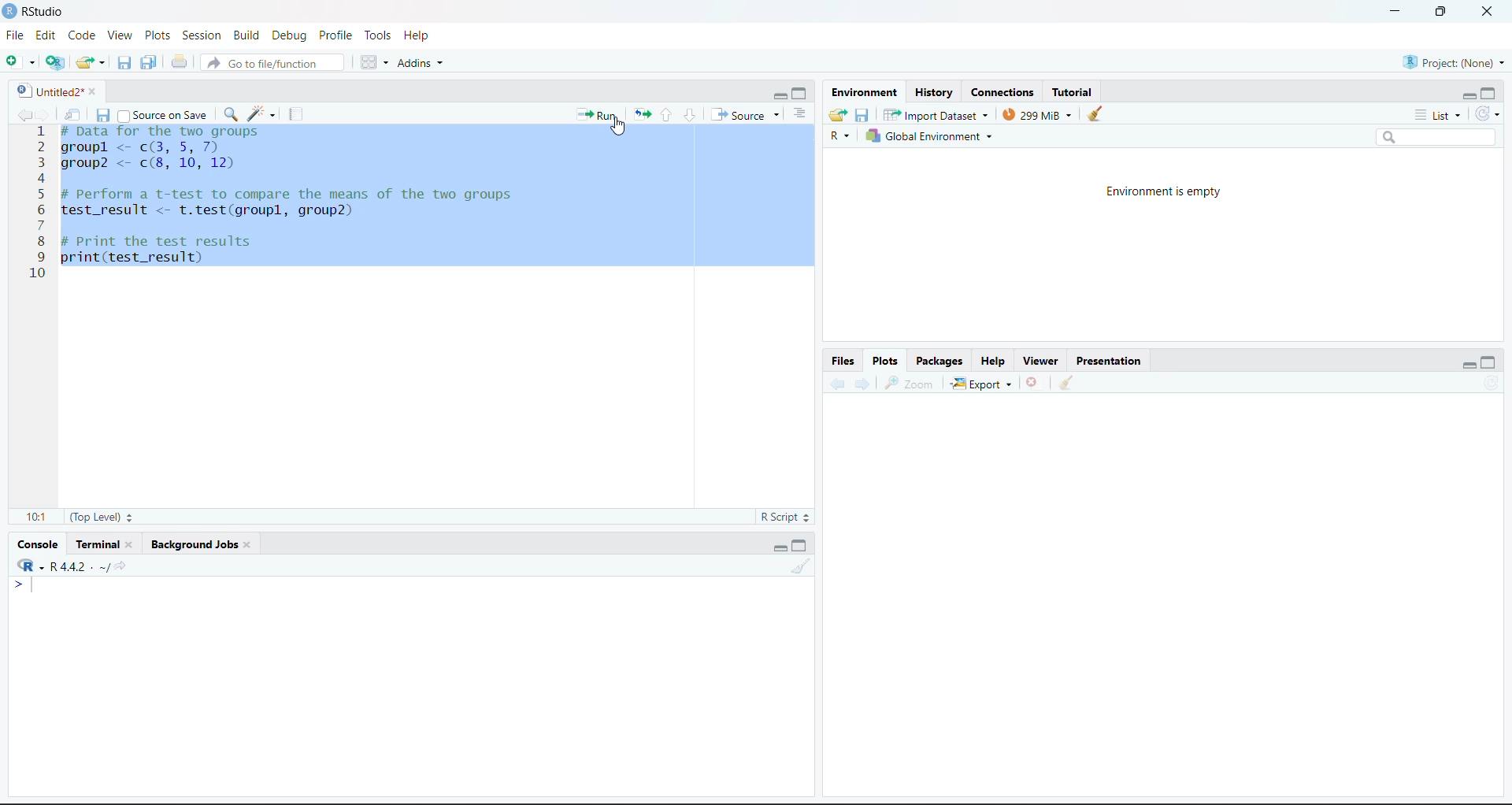 This screenshot has height=805, width=1512. Describe the element at coordinates (983, 383) in the screenshot. I see `export` at that location.